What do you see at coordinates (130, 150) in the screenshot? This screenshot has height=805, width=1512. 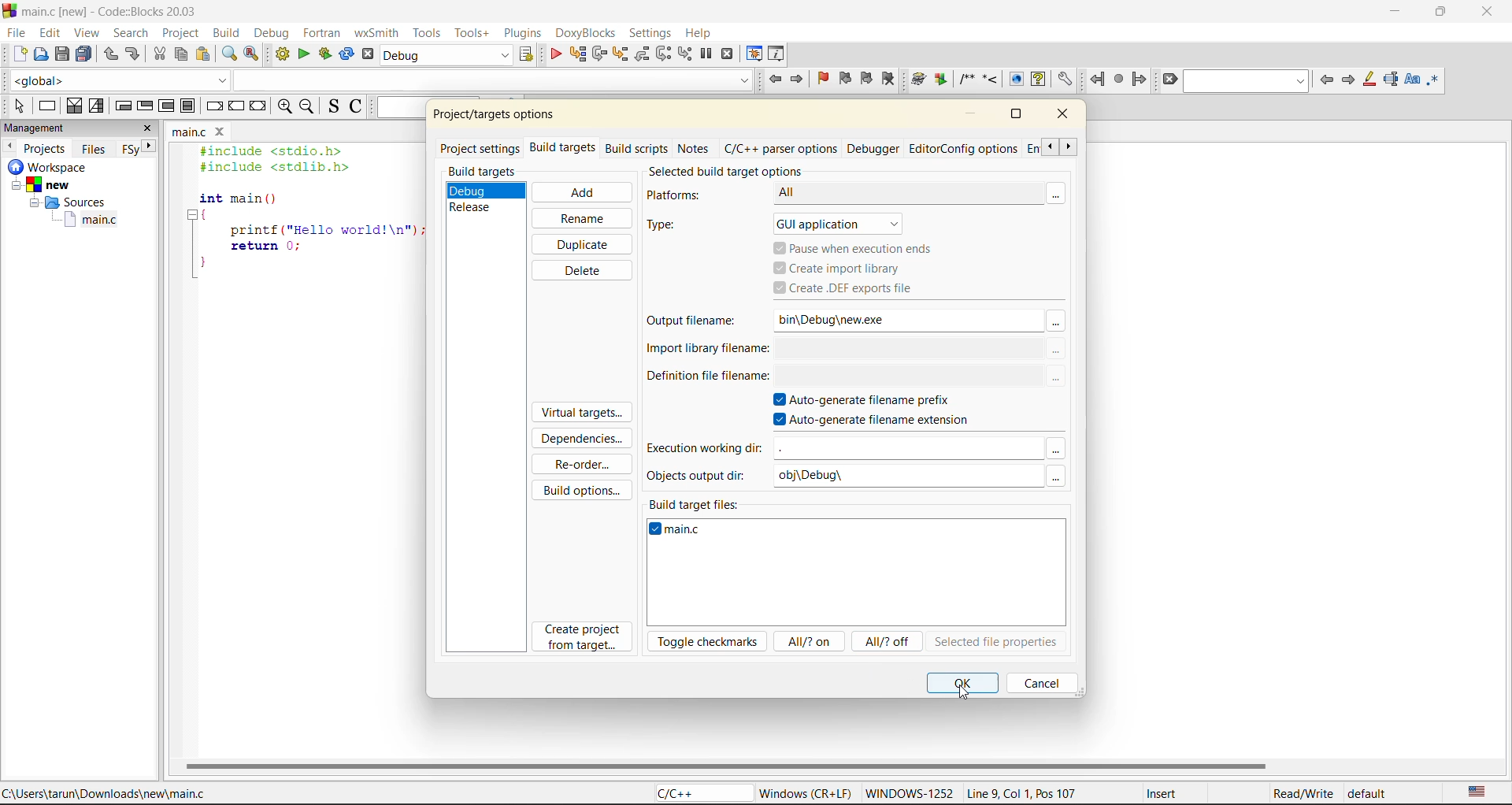 I see `` at bounding box center [130, 150].